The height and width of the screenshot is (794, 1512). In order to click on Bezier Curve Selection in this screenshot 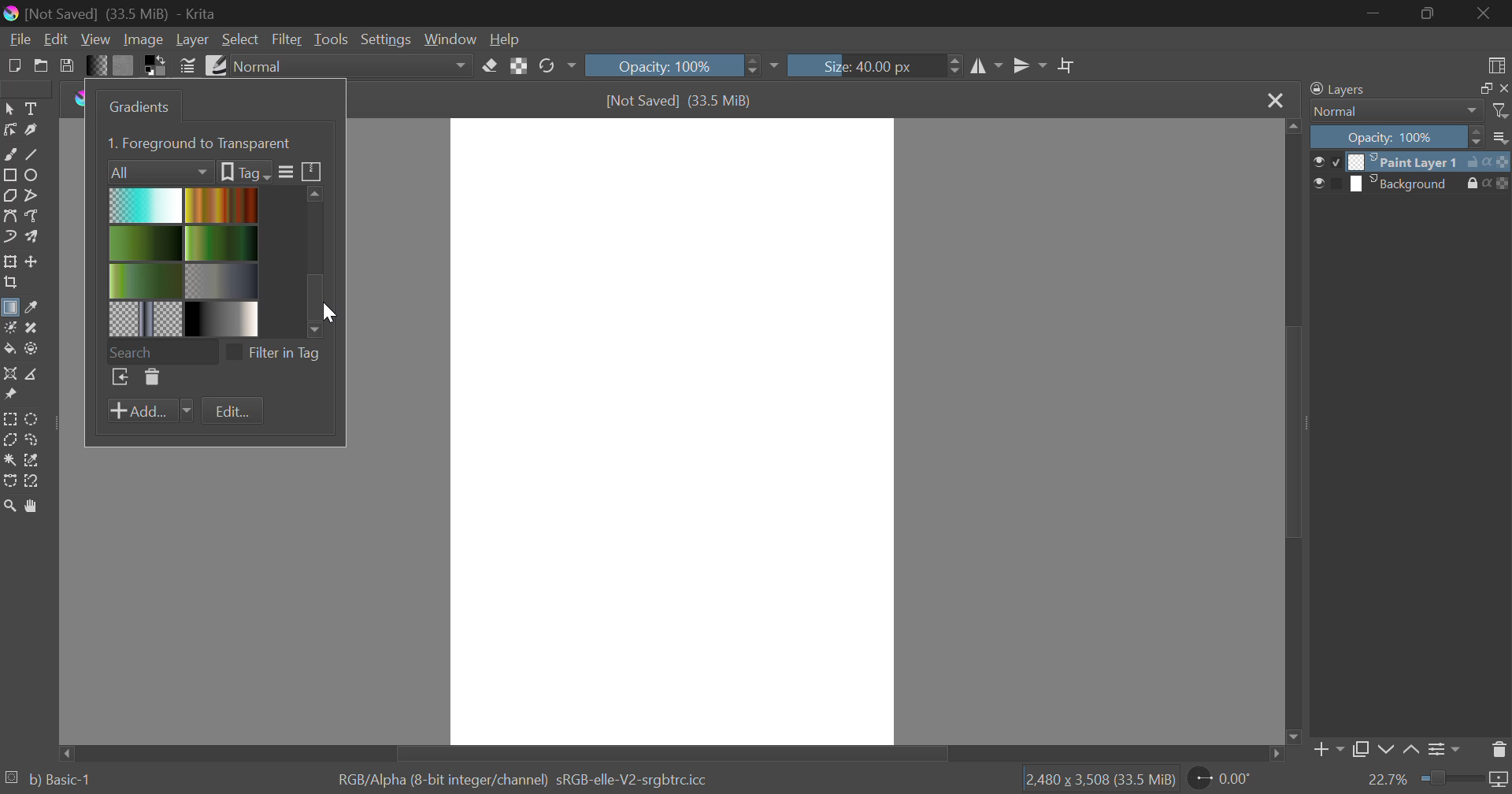, I will do `click(9, 479)`.